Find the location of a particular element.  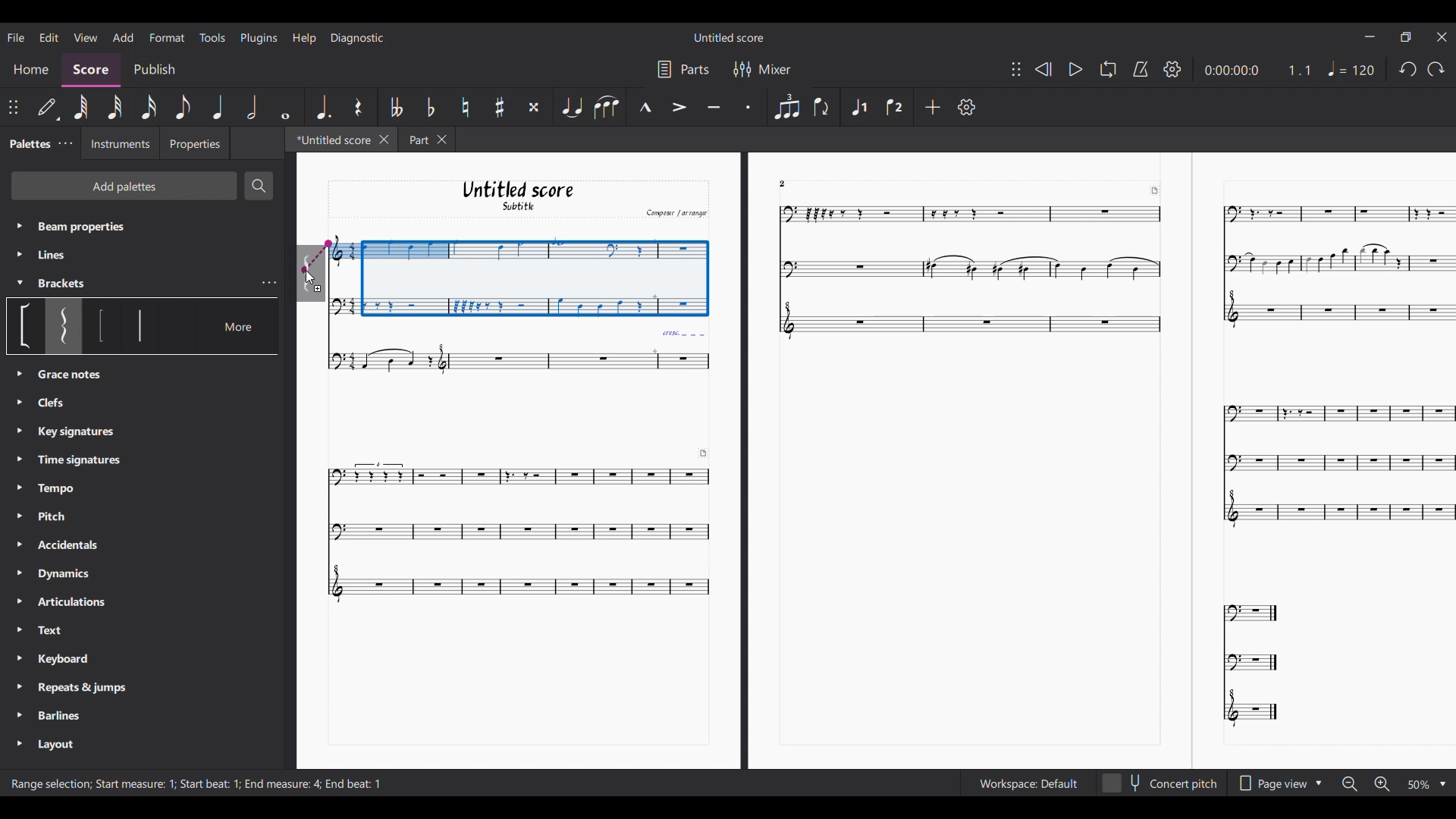

 is located at coordinates (17, 543).